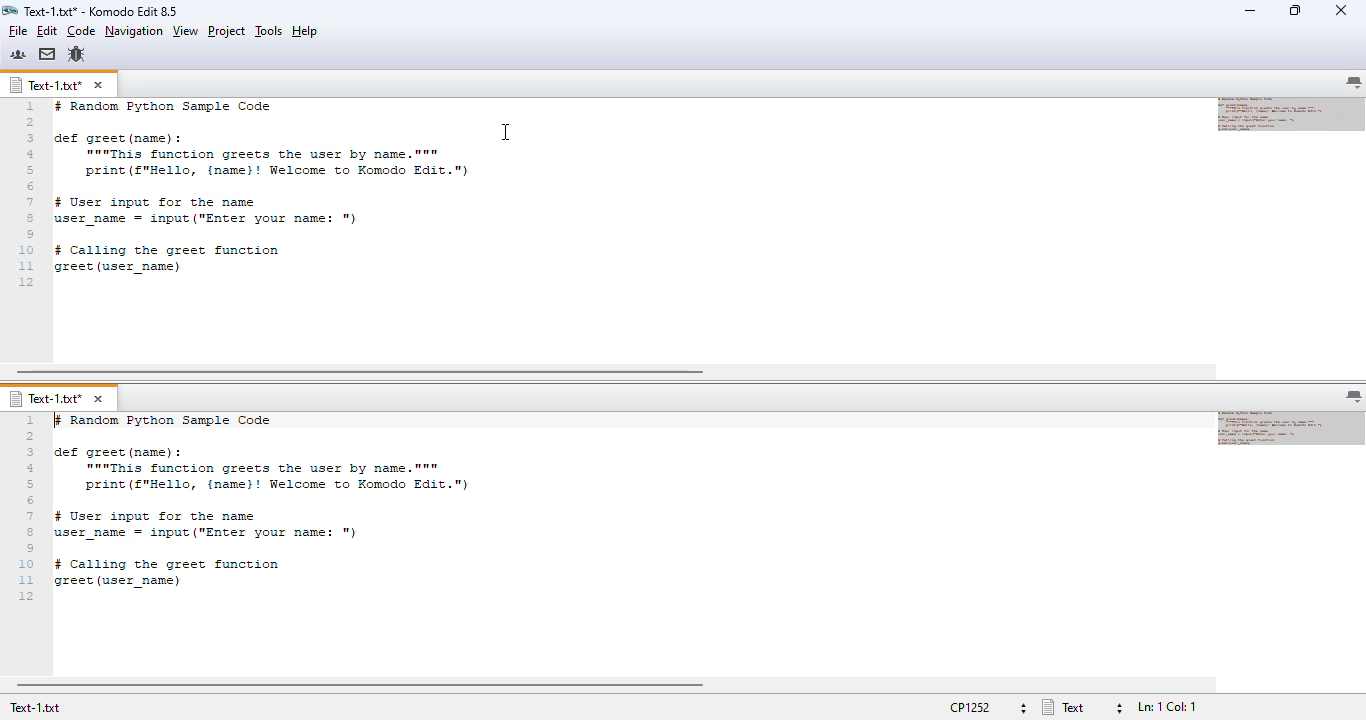 The image size is (1366, 720). What do you see at coordinates (28, 510) in the screenshot?
I see `line numbers` at bounding box center [28, 510].